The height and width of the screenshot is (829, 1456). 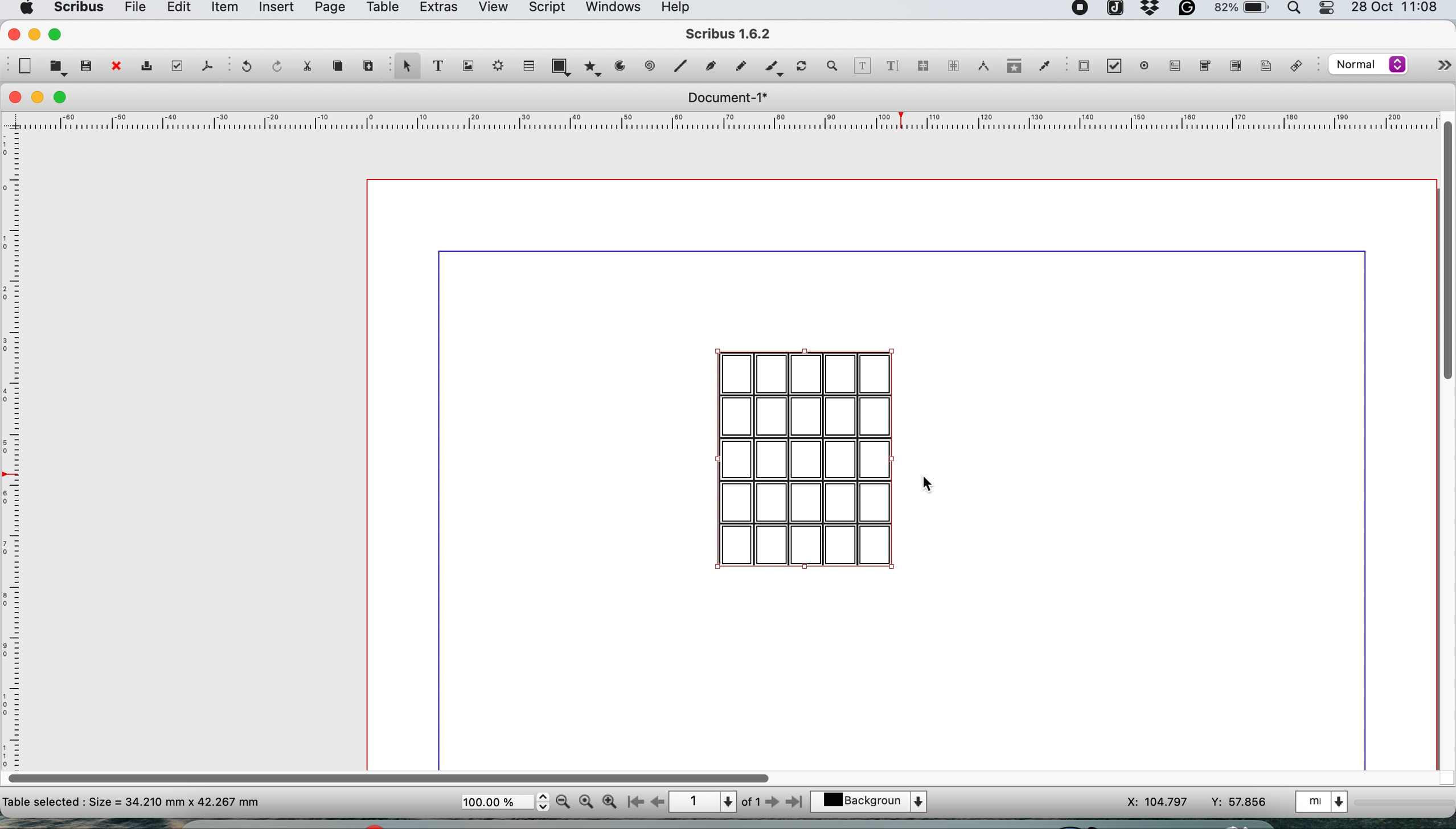 What do you see at coordinates (274, 65) in the screenshot?
I see `redo` at bounding box center [274, 65].